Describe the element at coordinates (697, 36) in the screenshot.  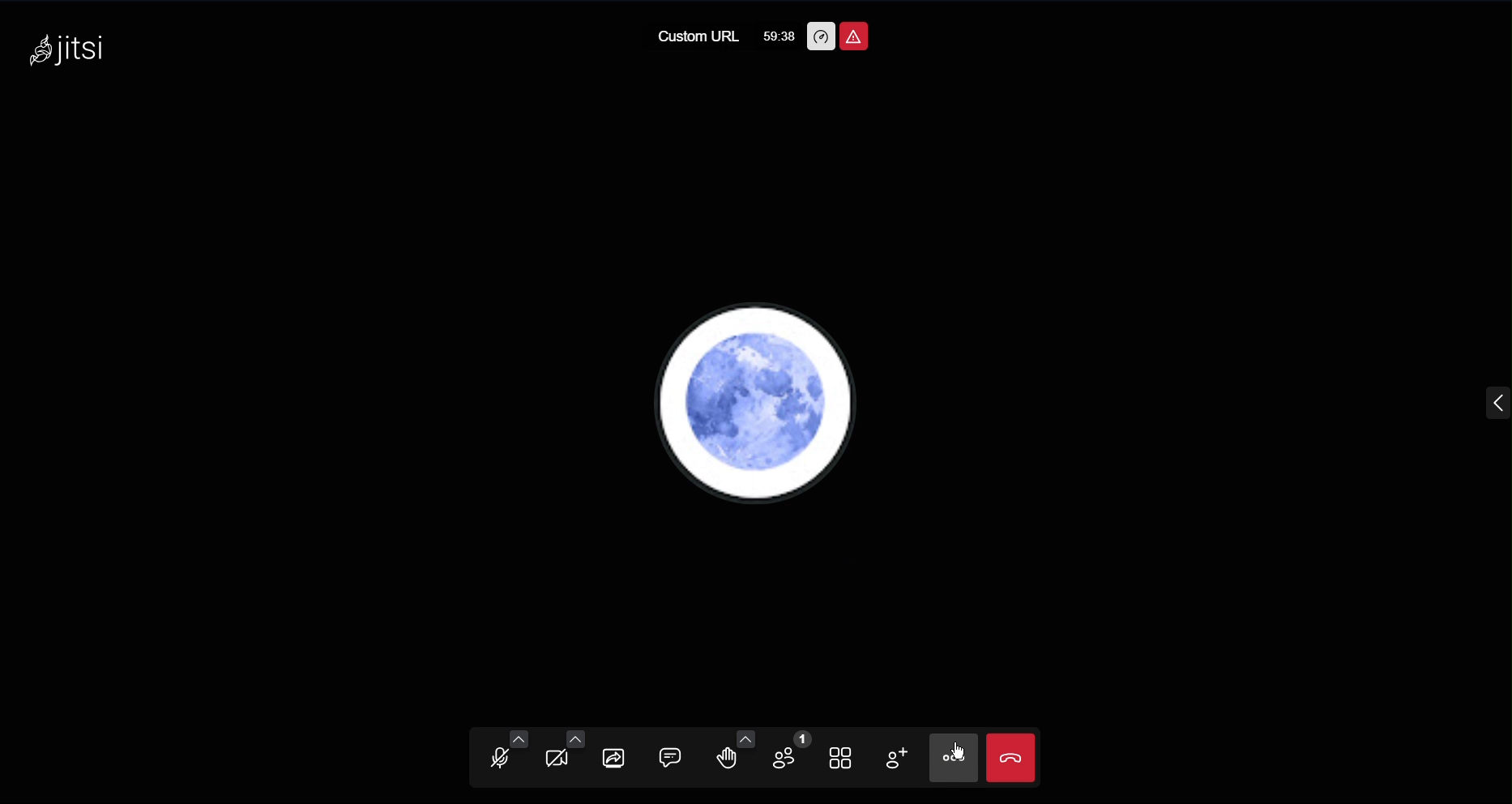
I see `Custom URL` at that location.